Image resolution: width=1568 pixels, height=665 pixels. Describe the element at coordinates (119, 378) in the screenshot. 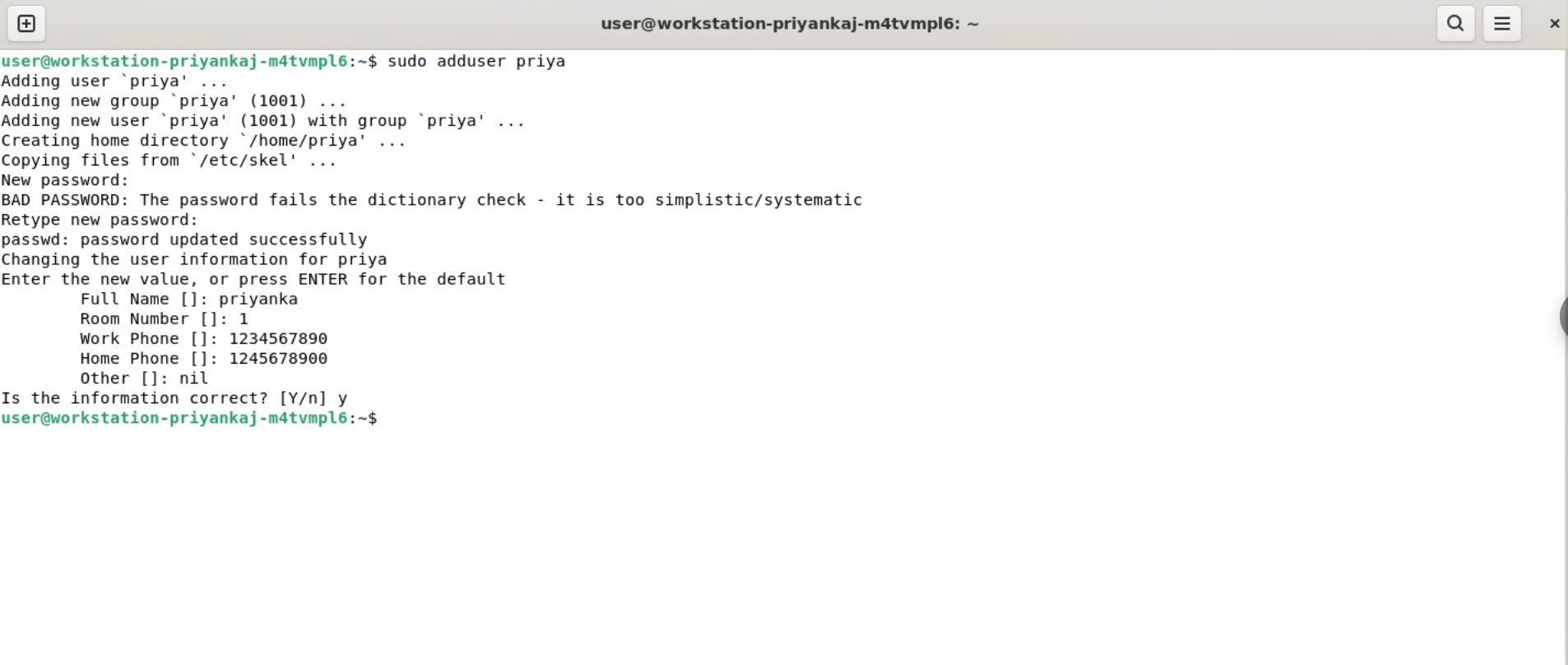

I see `other []:` at that location.